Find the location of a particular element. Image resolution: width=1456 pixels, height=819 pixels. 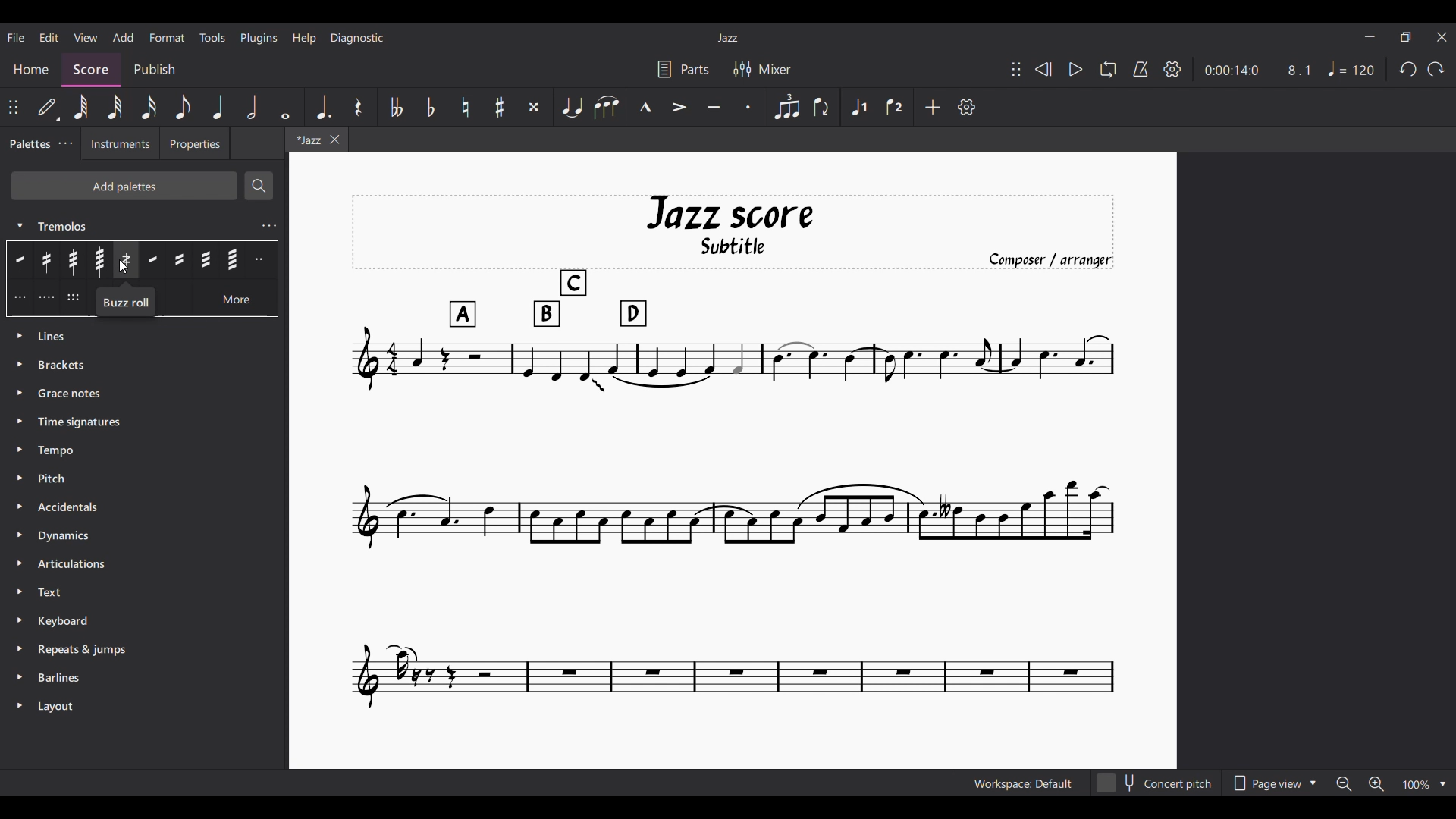

Cursor is located at coordinates (124, 267).